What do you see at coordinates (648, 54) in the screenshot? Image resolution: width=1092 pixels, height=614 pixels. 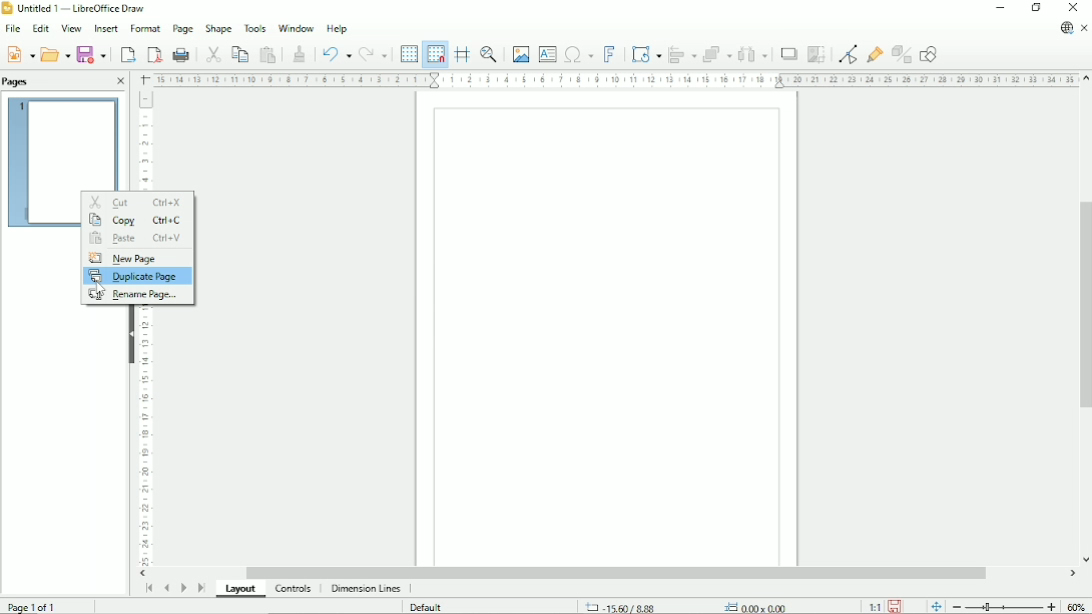 I see `Transformation` at bounding box center [648, 54].